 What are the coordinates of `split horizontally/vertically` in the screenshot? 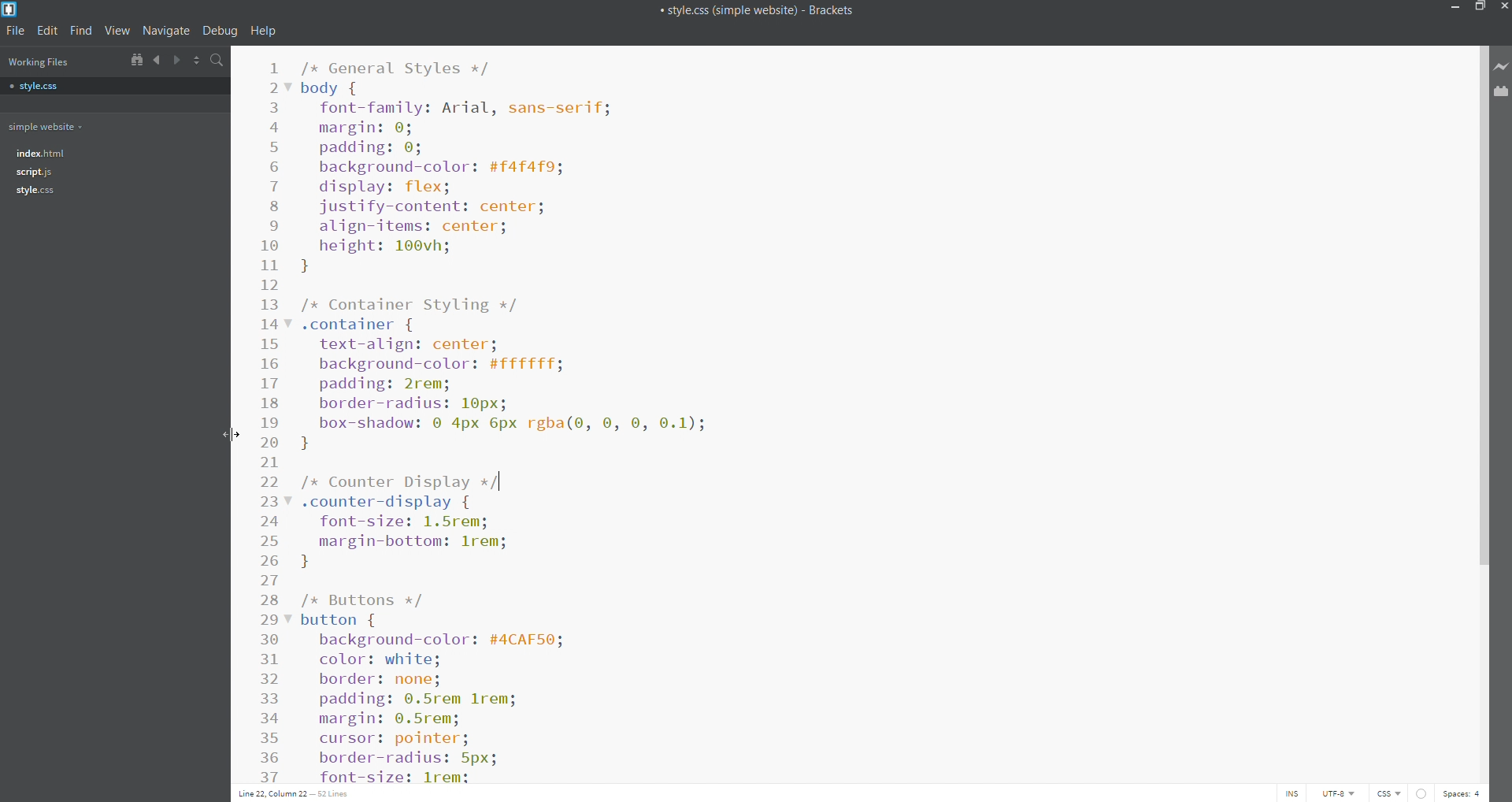 It's located at (196, 61).